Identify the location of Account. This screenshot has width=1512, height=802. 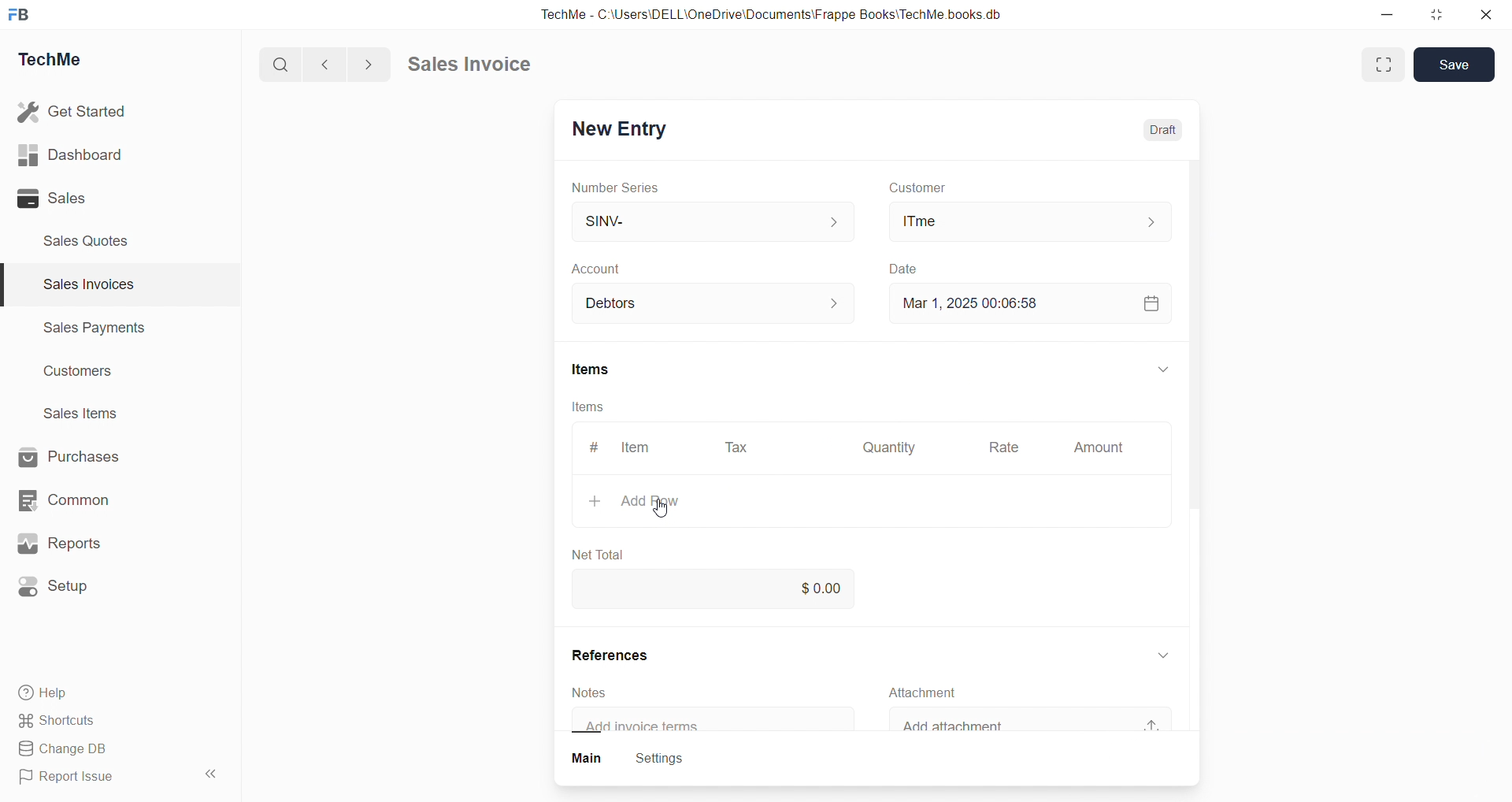
(621, 304).